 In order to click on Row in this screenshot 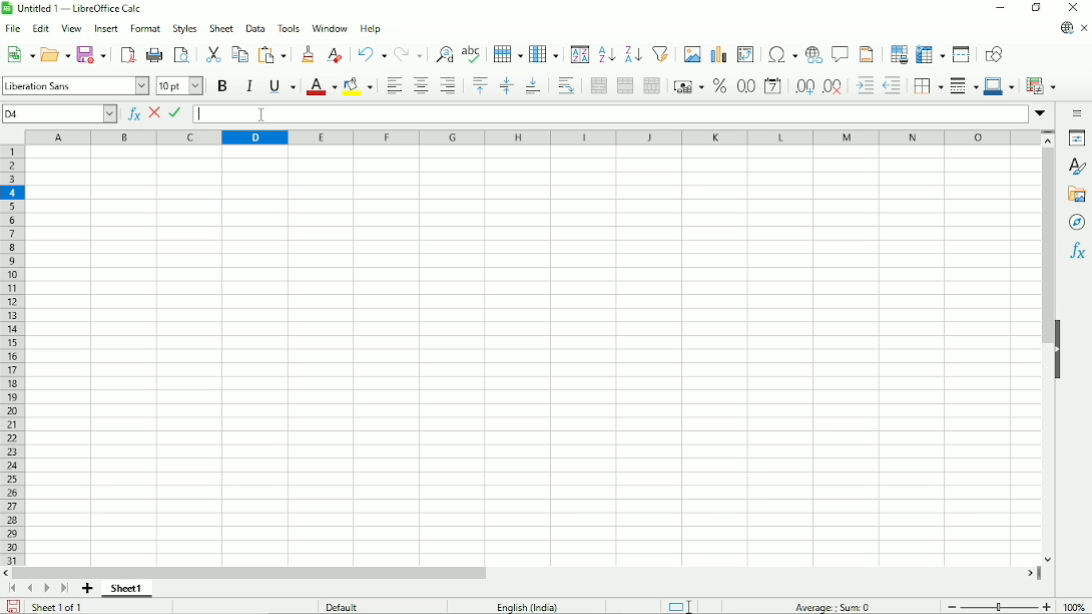, I will do `click(508, 53)`.